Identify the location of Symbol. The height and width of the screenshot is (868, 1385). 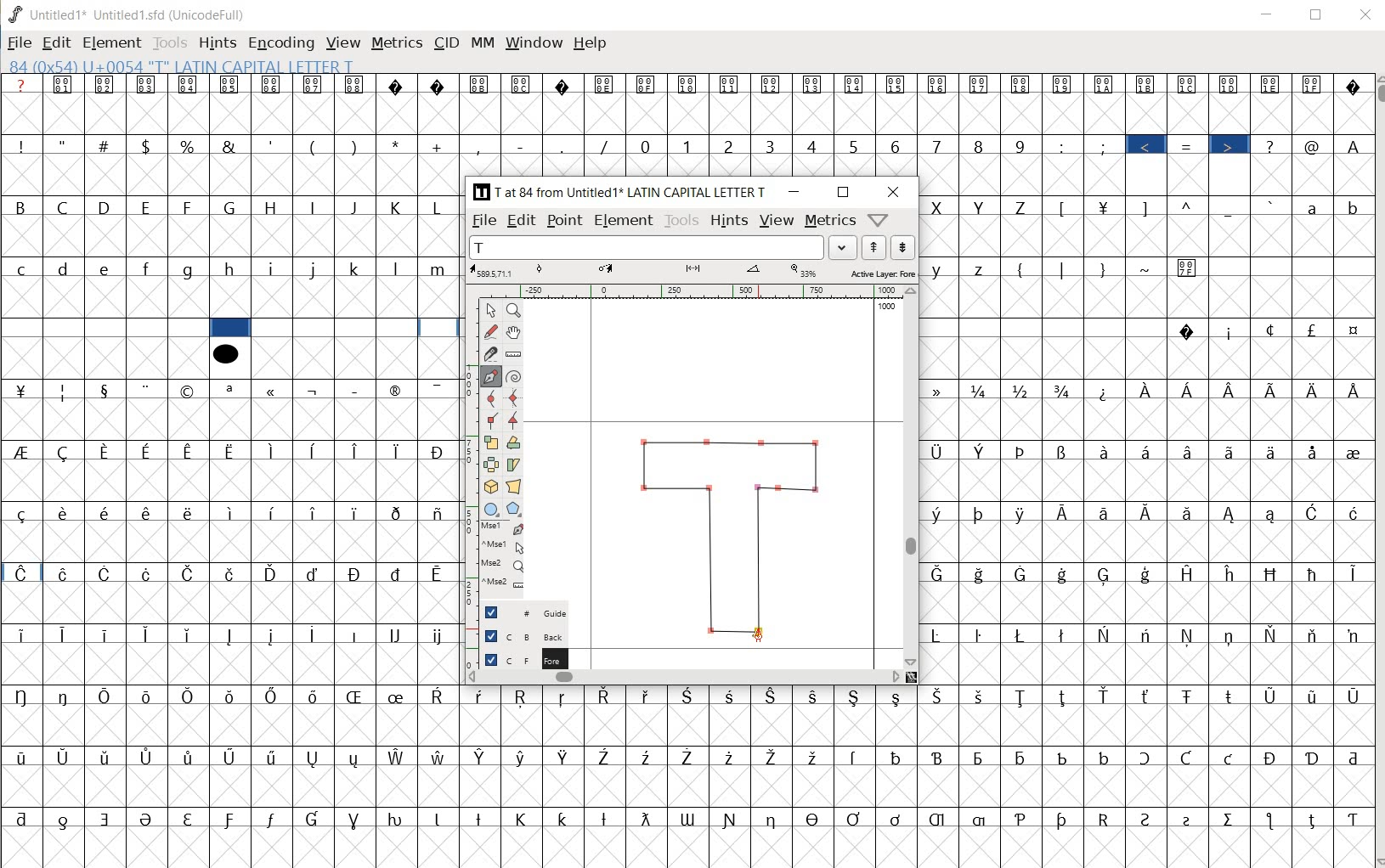
(649, 695).